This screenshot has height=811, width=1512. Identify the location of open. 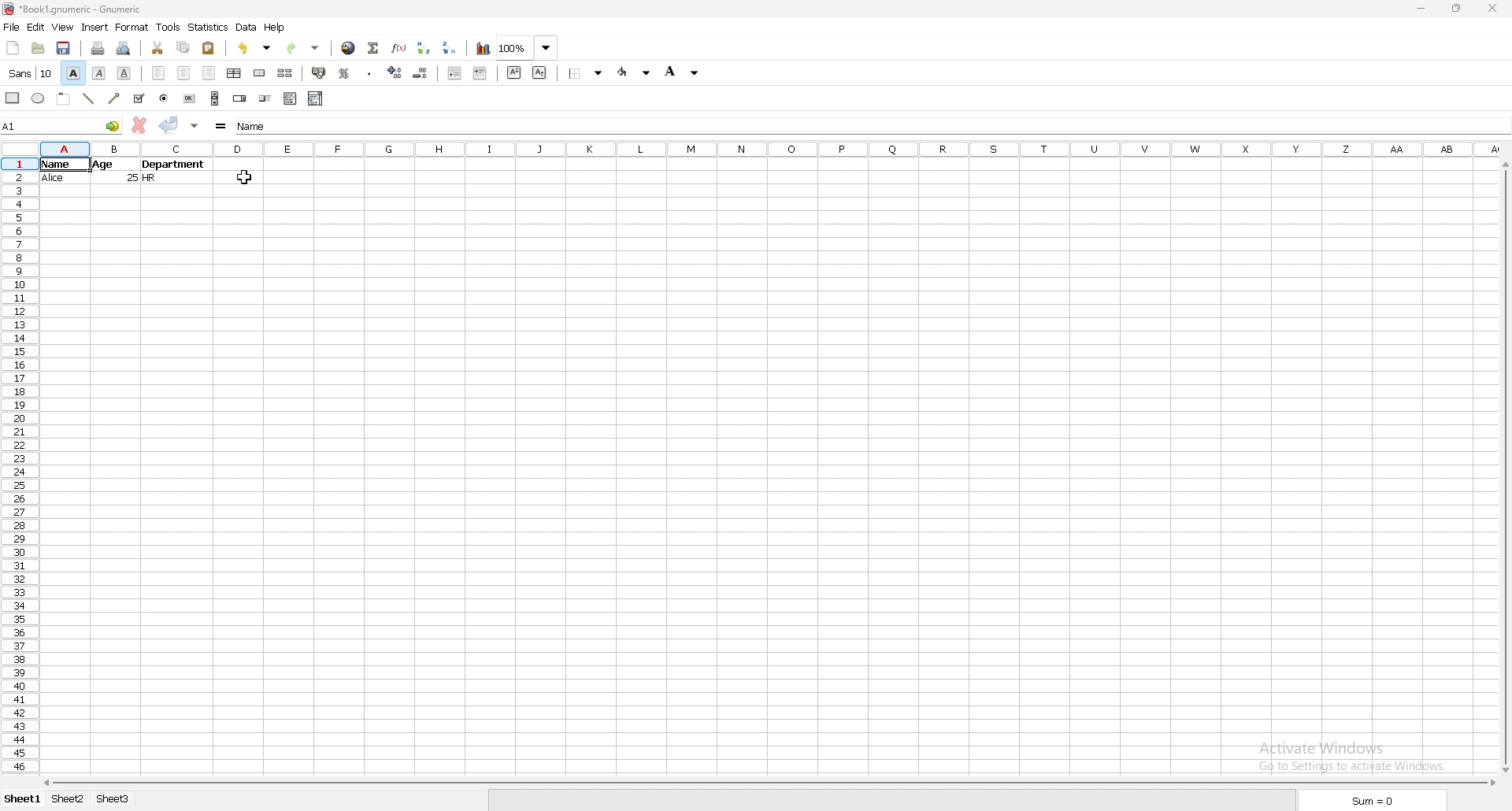
(39, 49).